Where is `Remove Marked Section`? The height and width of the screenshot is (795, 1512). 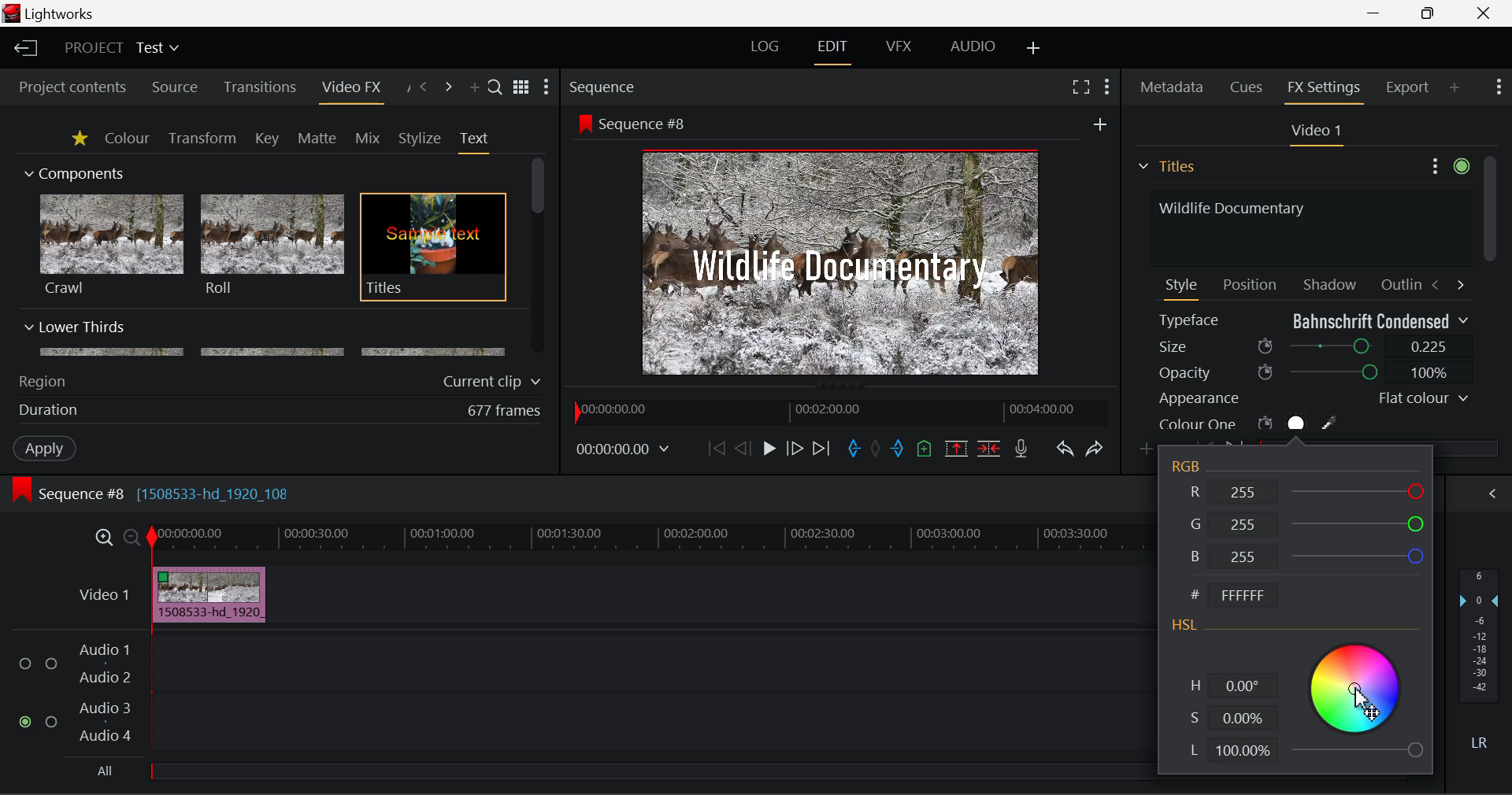
Remove Marked Section is located at coordinates (956, 449).